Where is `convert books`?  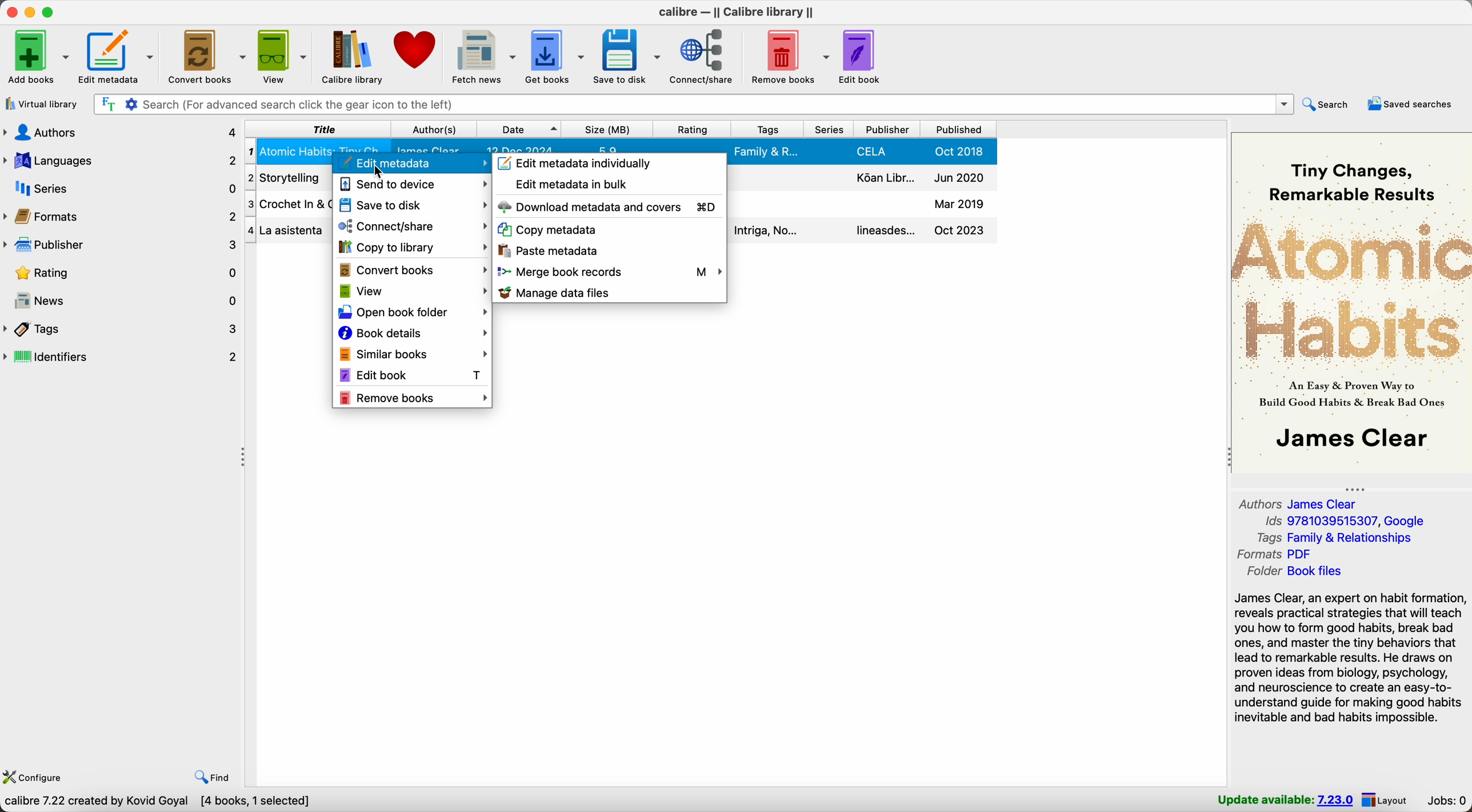
convert books is located at coordinates (412, 270).